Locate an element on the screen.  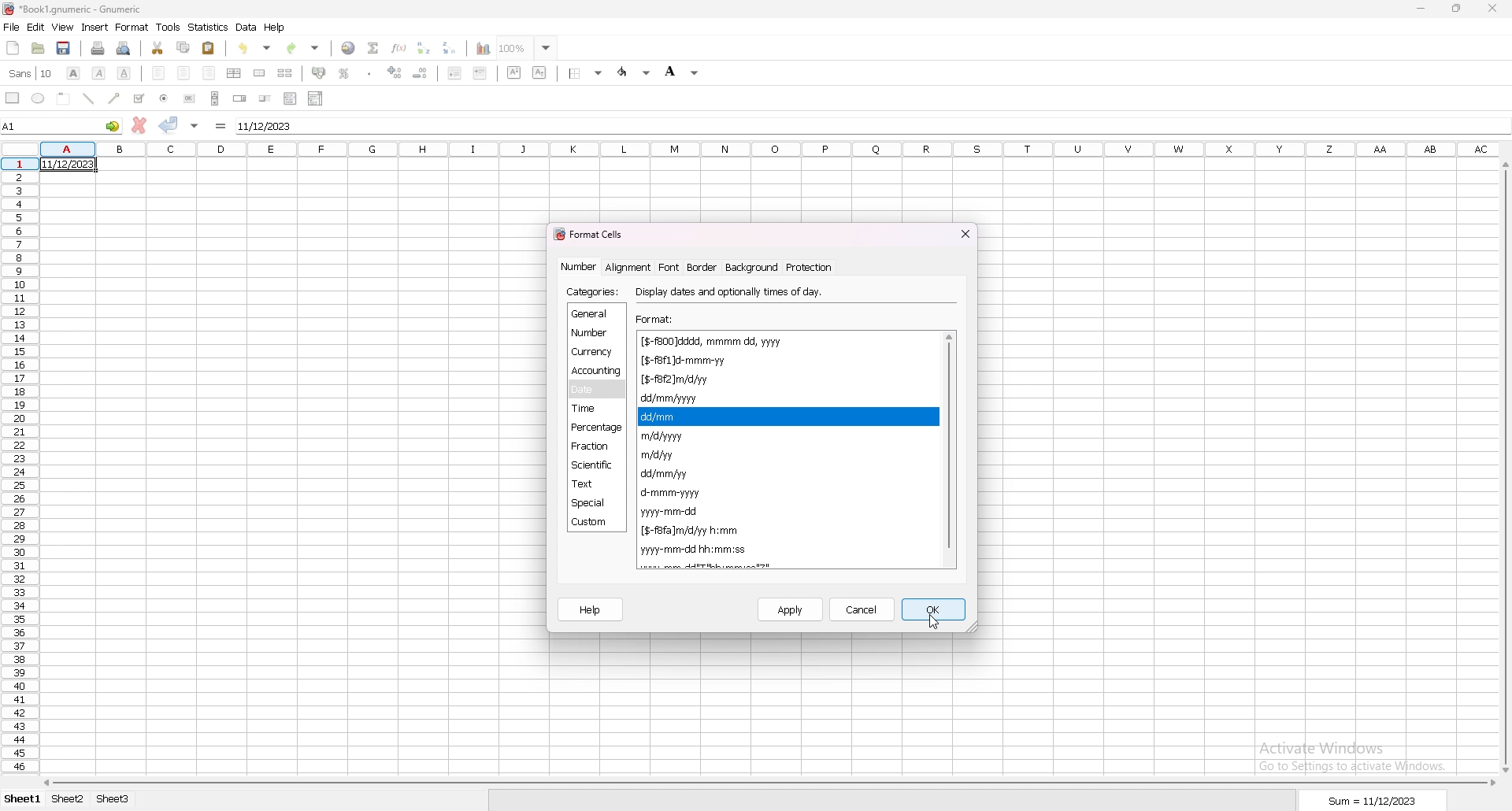
fraction is located at coordinates (593, 446).